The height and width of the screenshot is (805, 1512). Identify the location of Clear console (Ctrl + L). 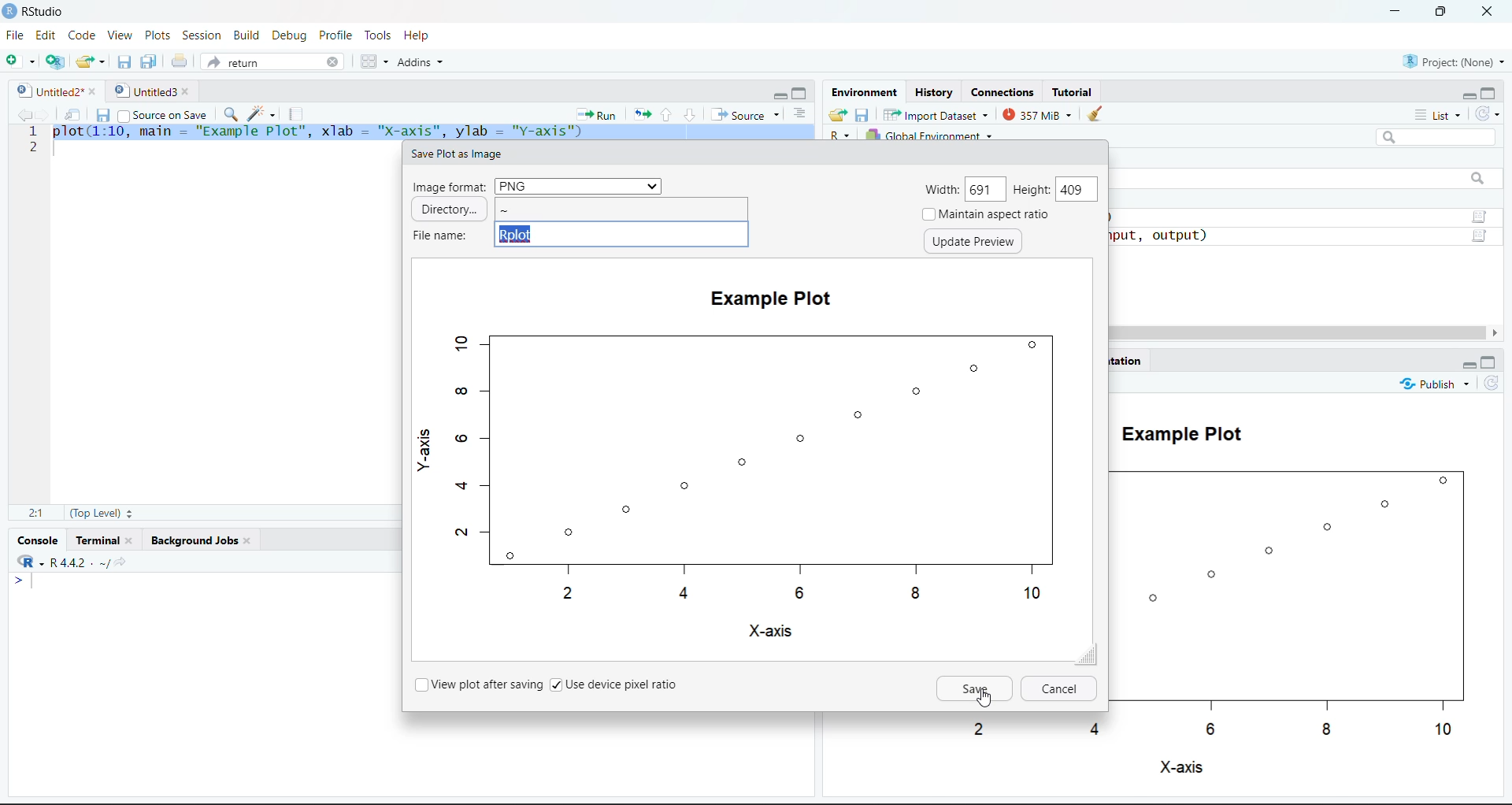
(1095, 114).